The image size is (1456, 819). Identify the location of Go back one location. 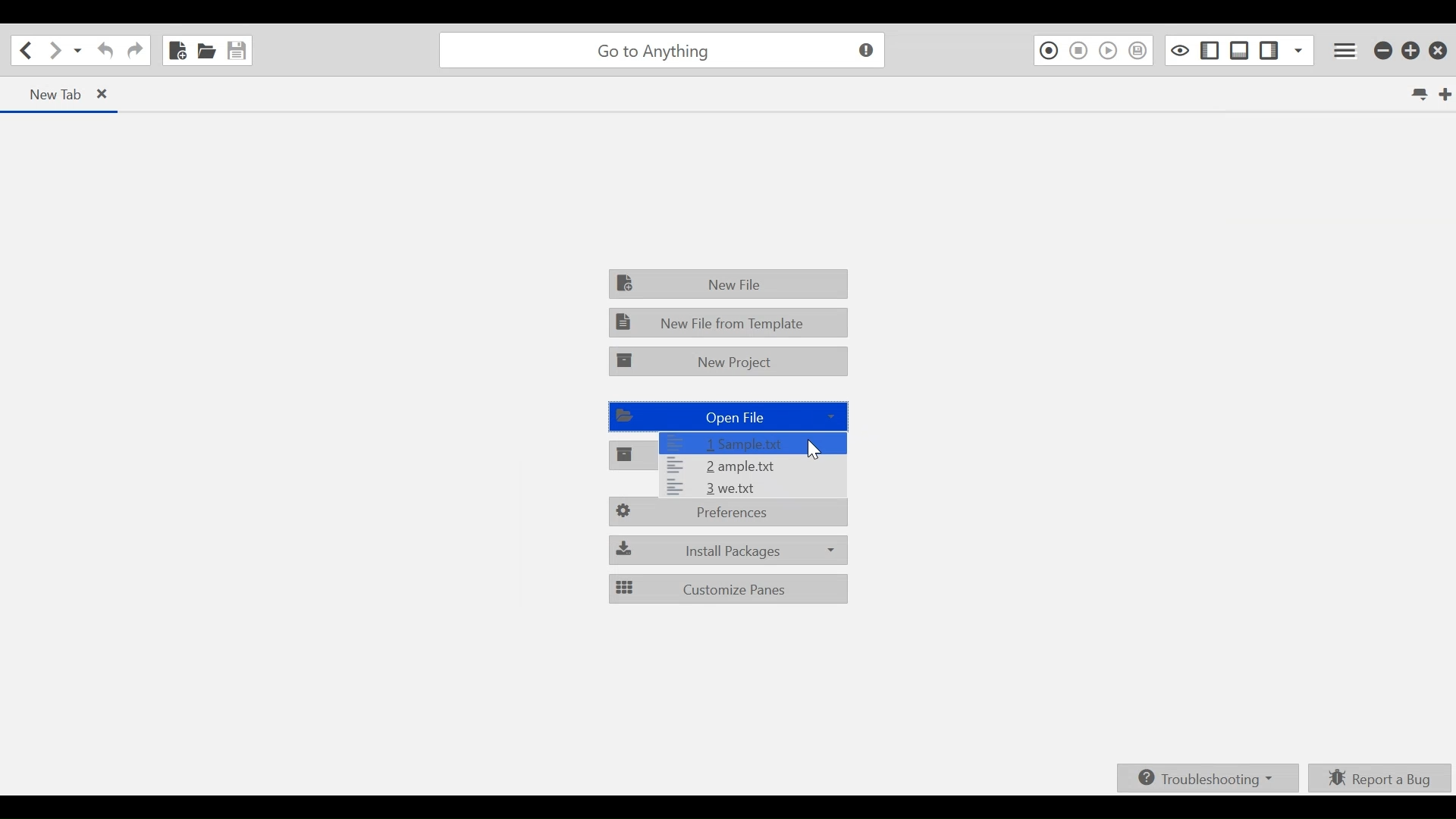
(26, 50).